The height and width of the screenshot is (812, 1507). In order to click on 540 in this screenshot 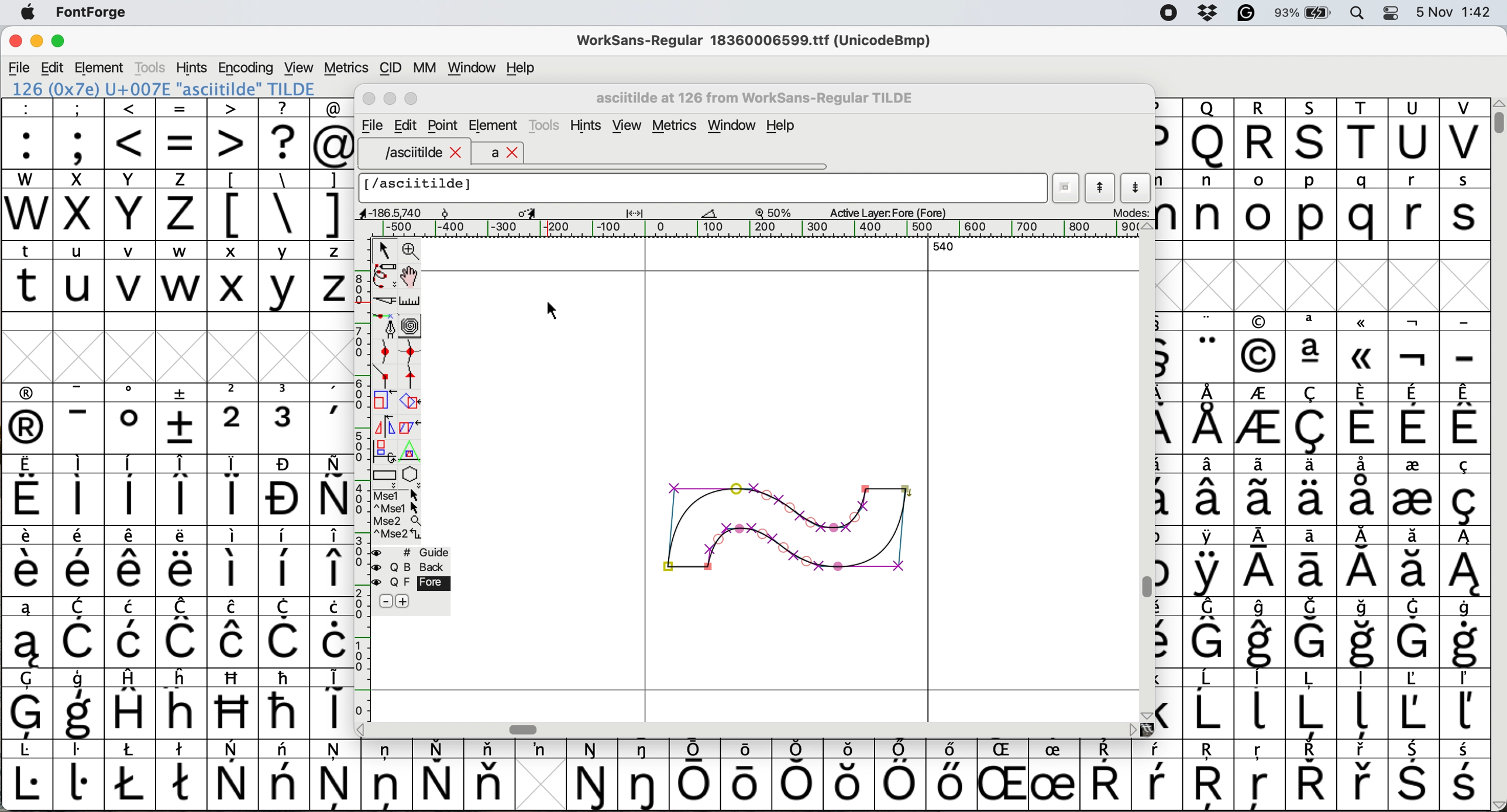, I will do `click(944, 248)`.